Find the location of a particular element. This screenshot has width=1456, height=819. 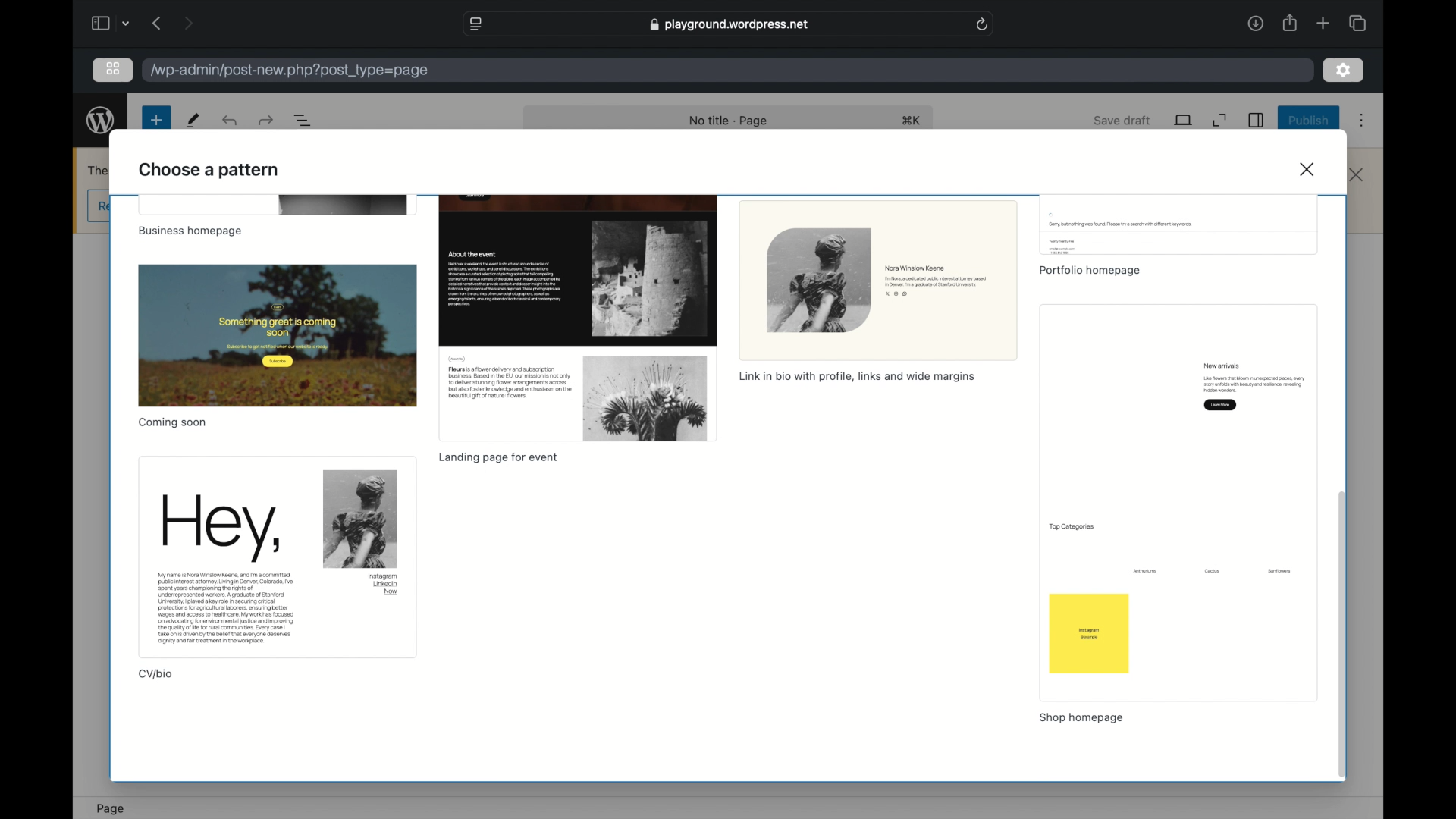

wordpress is located at coordinates (101, 122).